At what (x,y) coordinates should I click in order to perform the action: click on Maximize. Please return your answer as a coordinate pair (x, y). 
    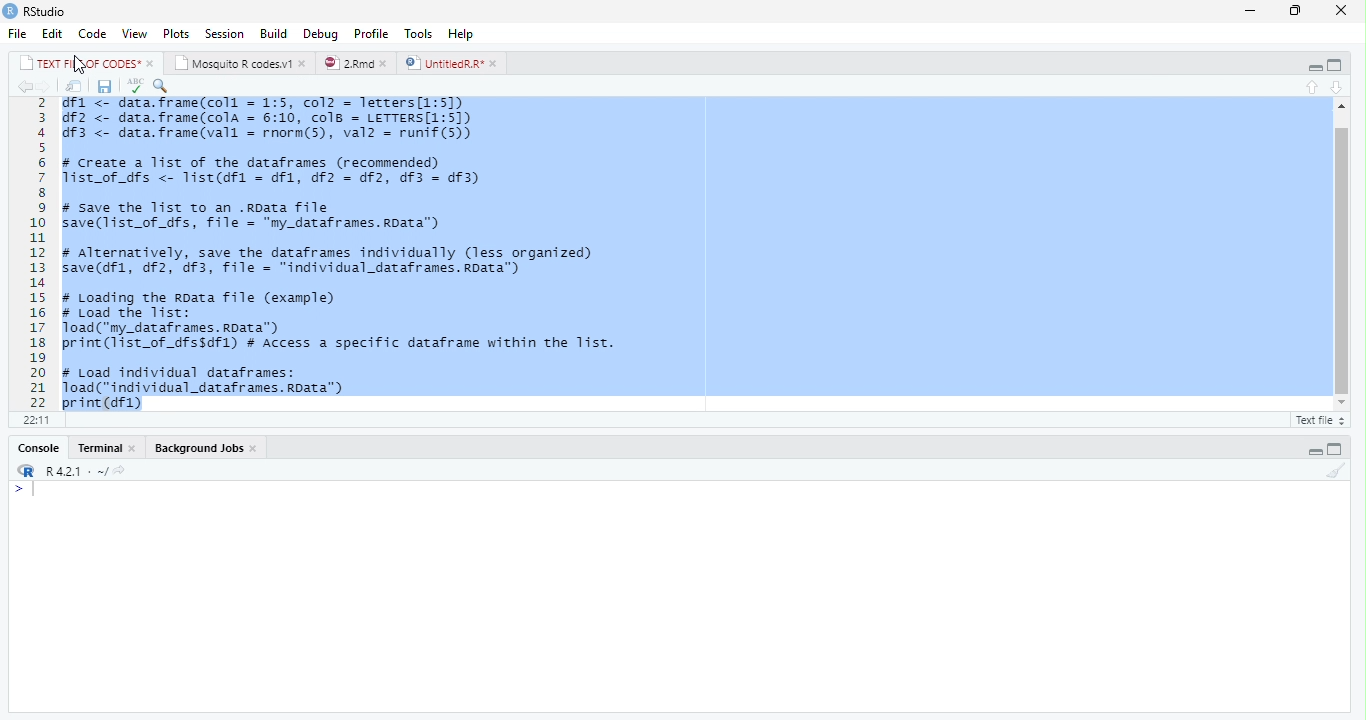
    Looking at the image, I should click on (1298, 10).